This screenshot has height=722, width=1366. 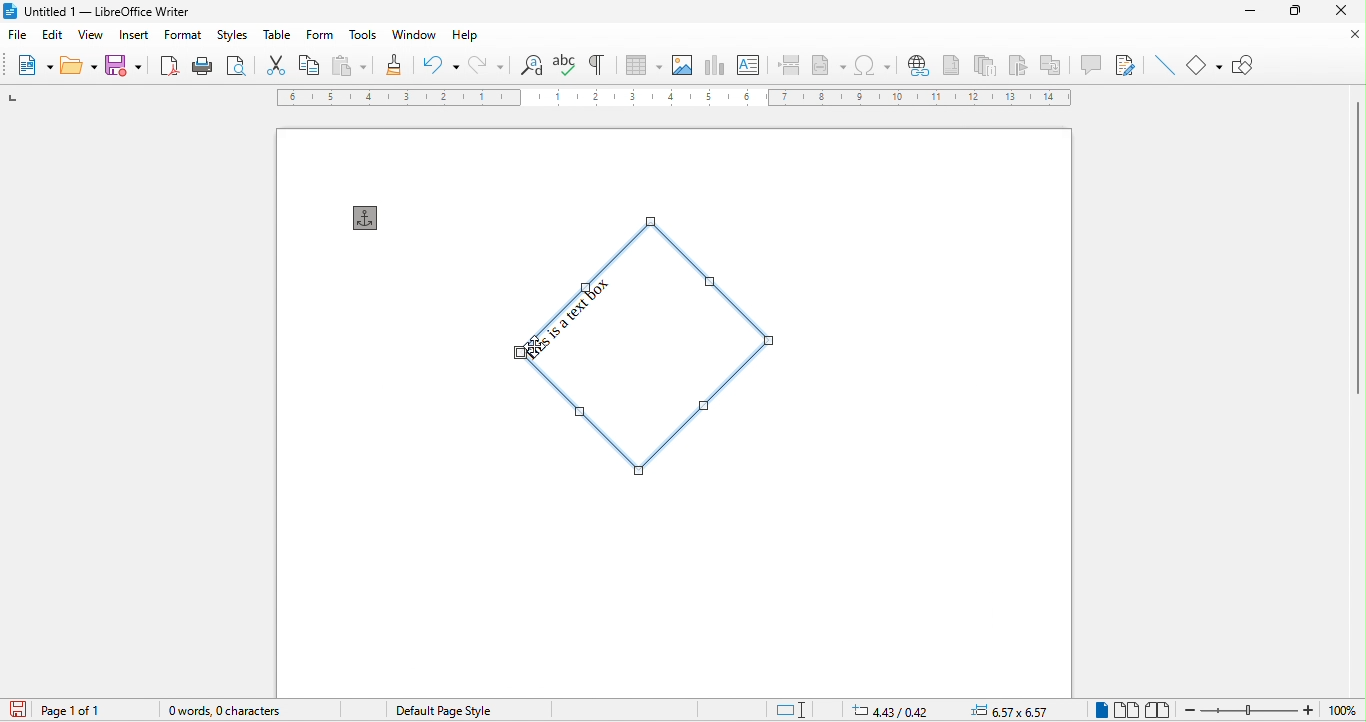 What do you see at coordinates (1004, 710) in the screenshot?
I see `6.57x6.57` at bounding box center [1004, 710].